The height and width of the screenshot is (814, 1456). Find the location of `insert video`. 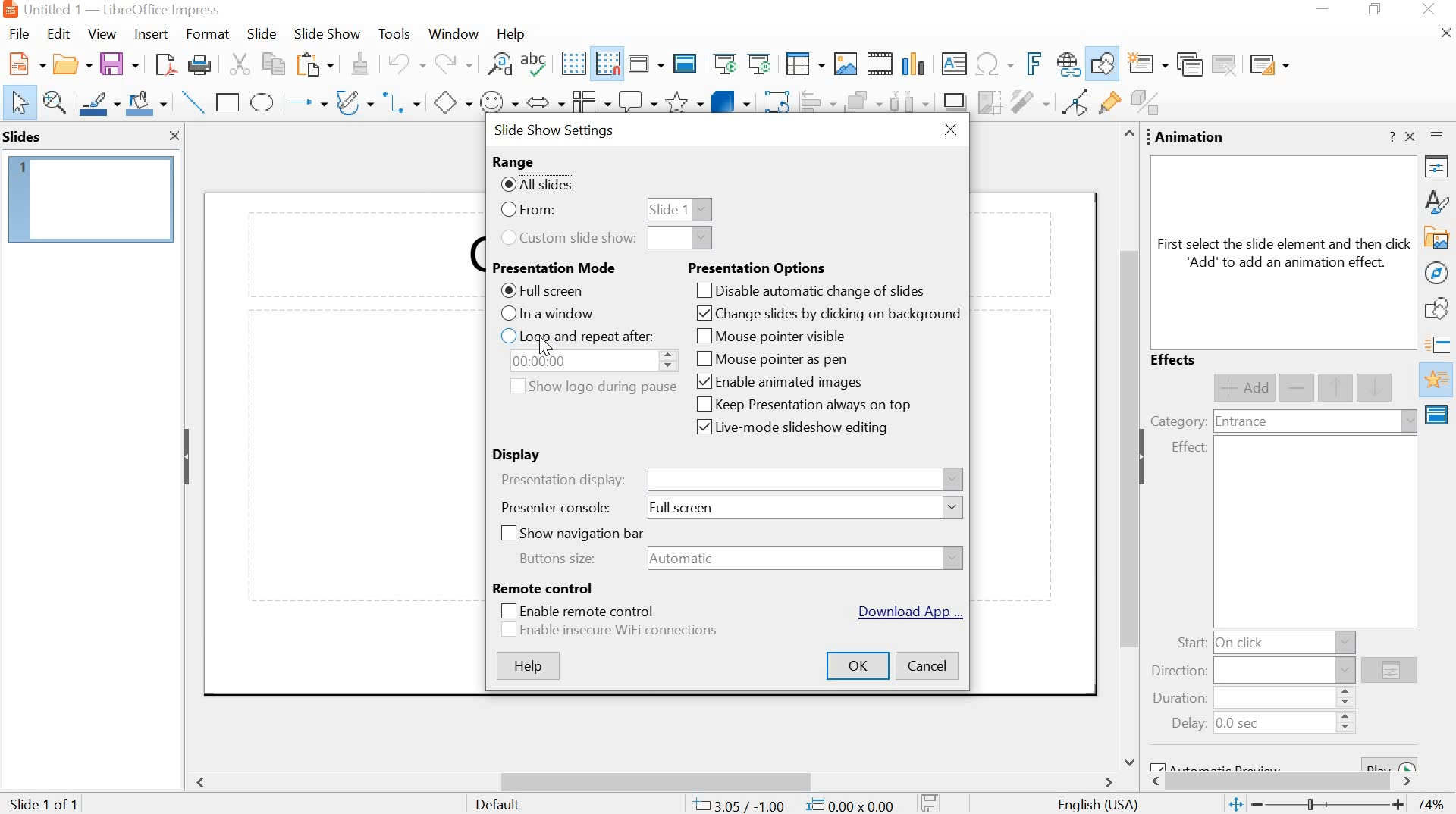

insert video is located at coordinates (880, 64).